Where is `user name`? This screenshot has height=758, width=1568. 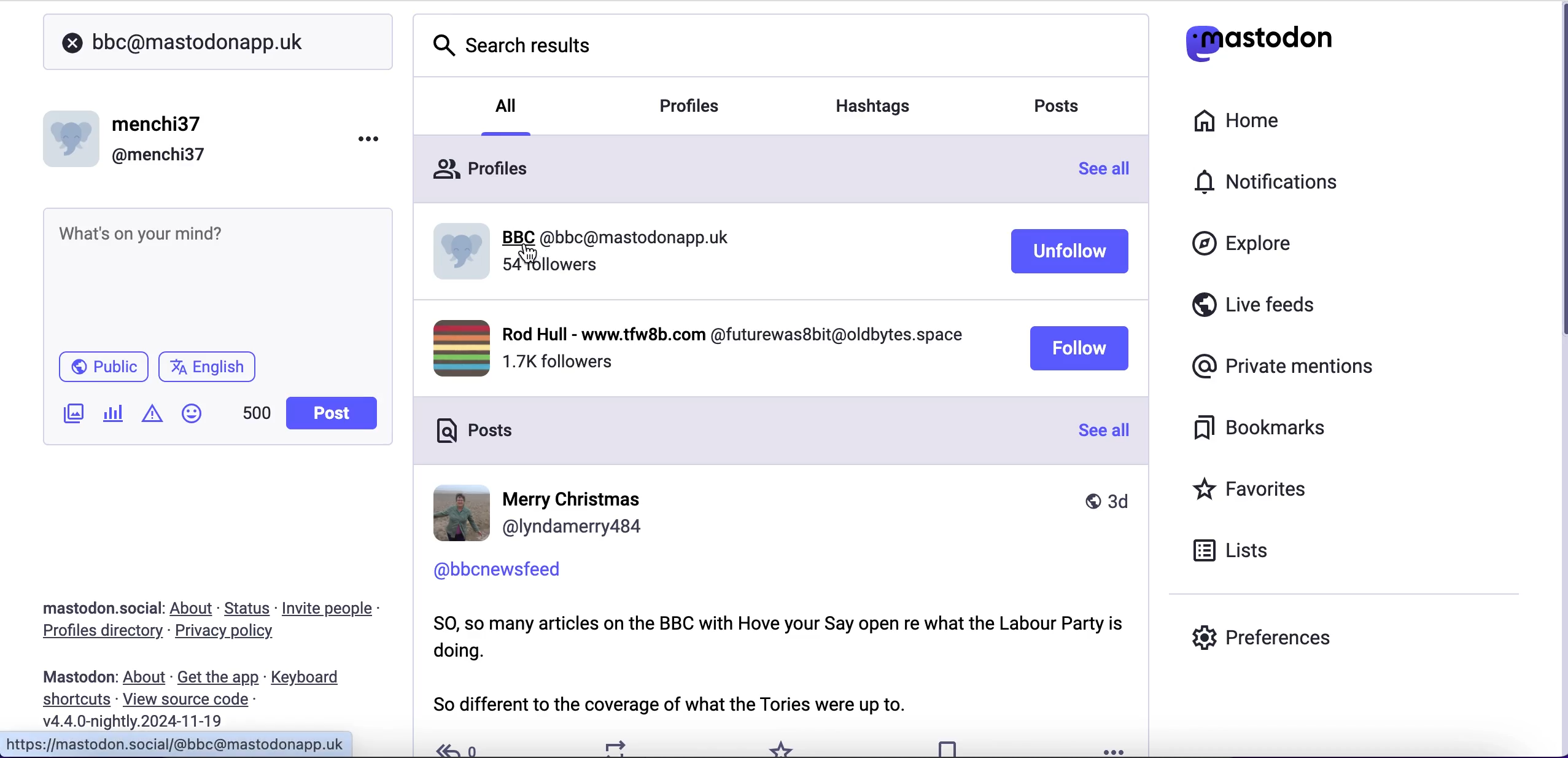 user name is located at coordinates (128, 138).